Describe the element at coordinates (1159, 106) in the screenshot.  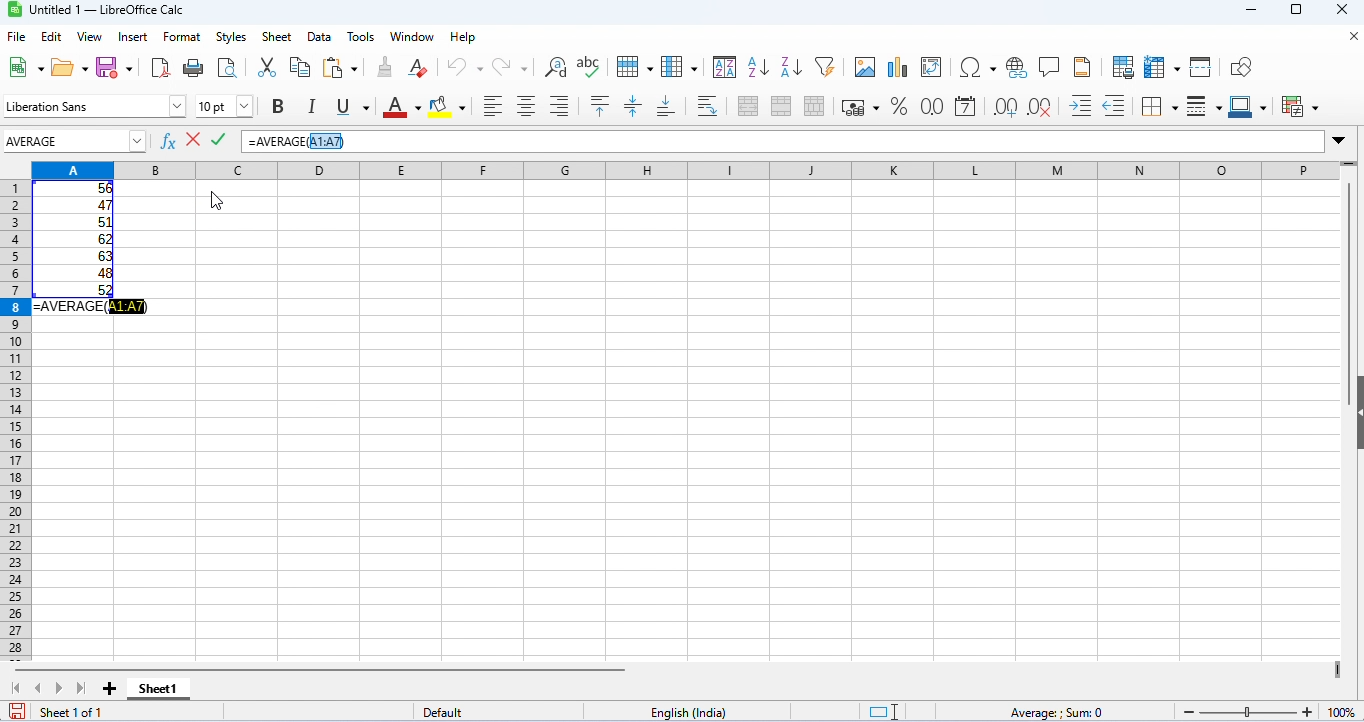
I see `border` at that location.